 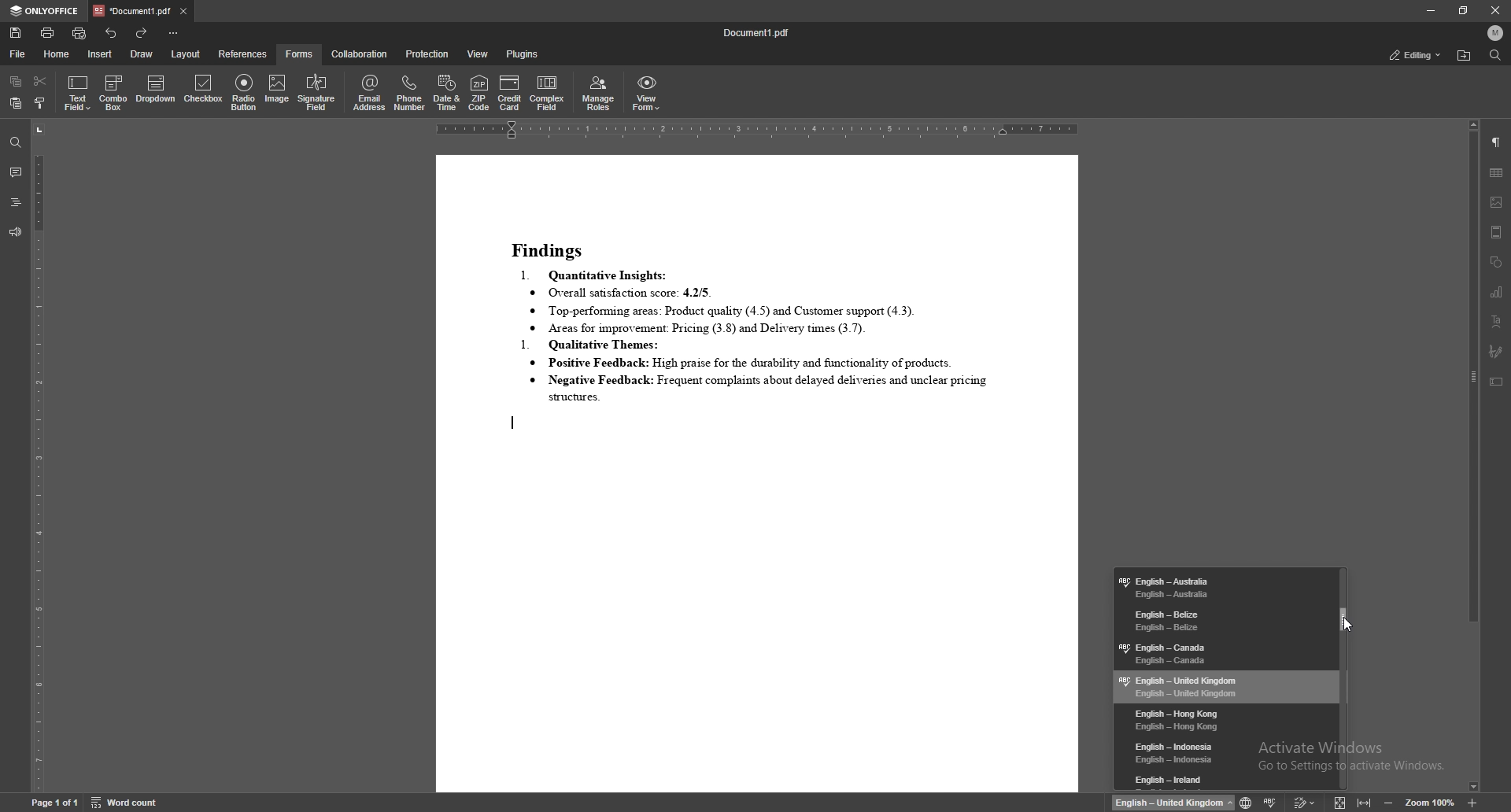 What do you see at coordinates (1497, 321) in the screenshot?
I see `text art` at bounding box center [1497, 321].